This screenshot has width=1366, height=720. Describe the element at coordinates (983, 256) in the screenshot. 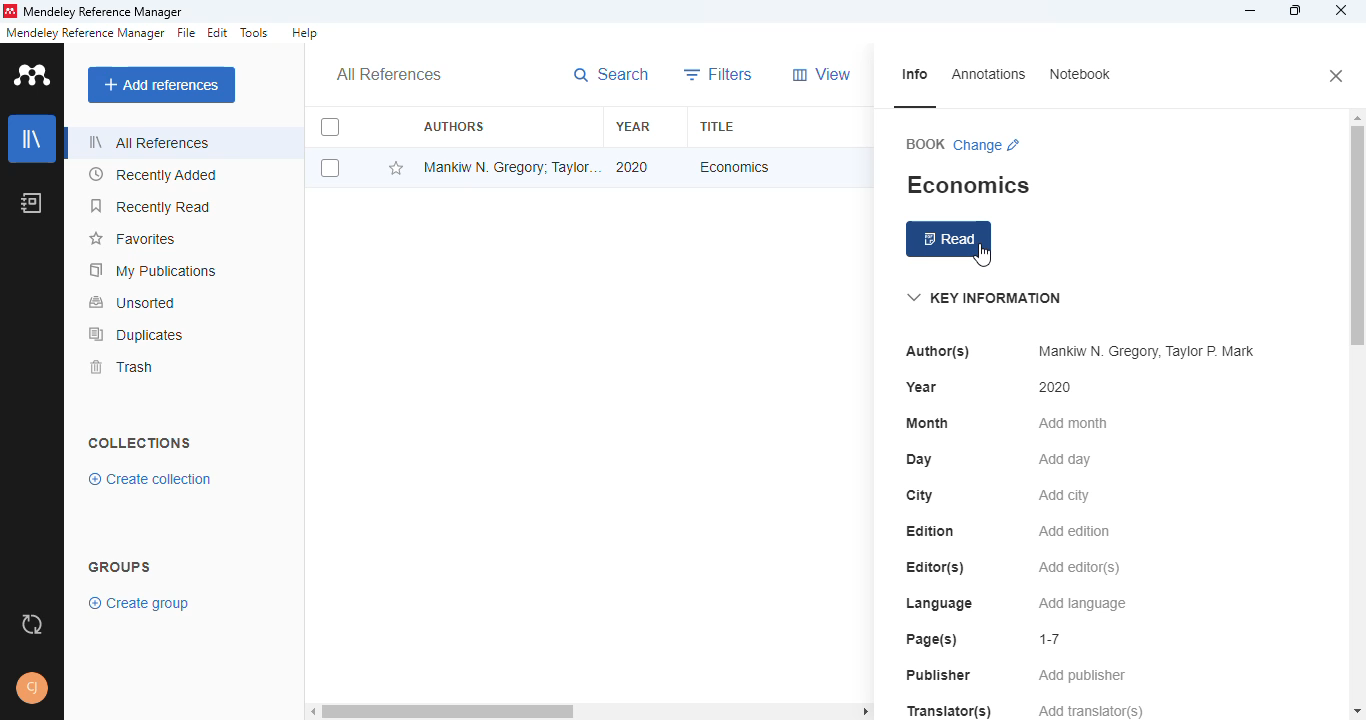

I see `cursor` at that location.